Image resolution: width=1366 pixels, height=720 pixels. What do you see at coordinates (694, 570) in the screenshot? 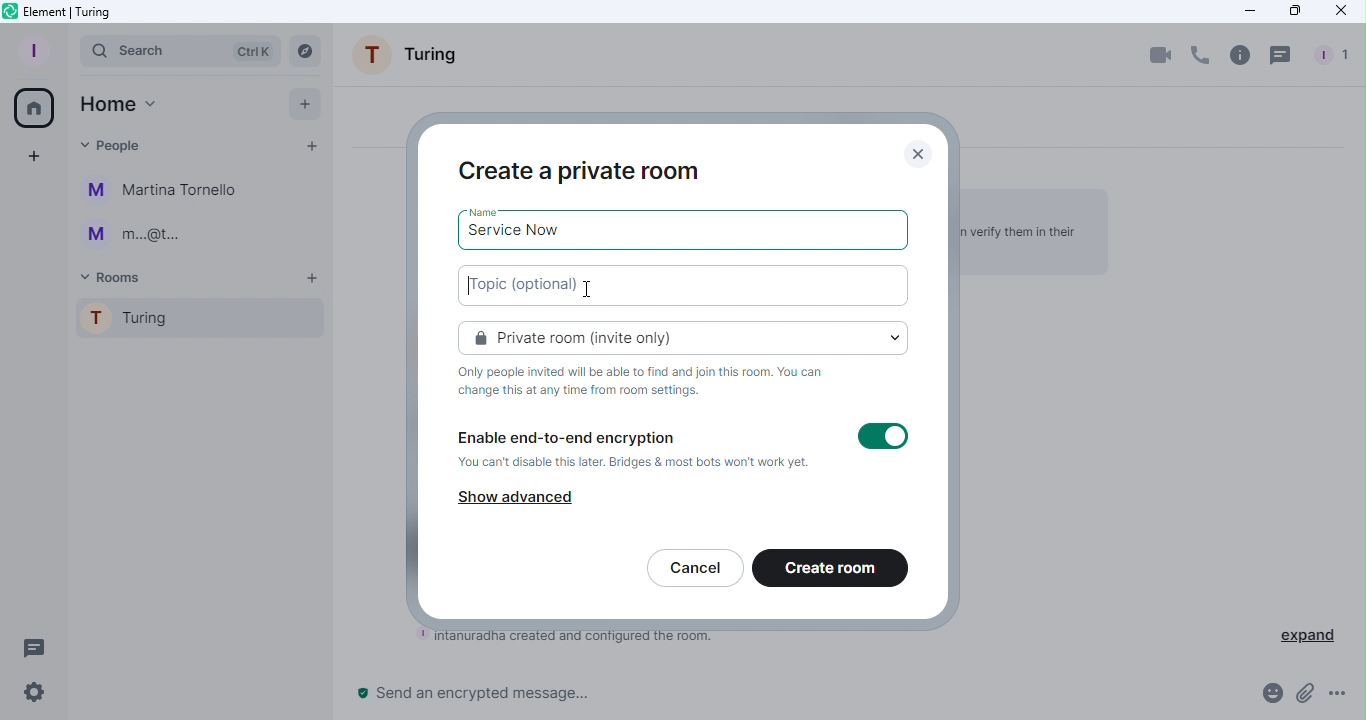
I see `Cancel` at bounding box center [694, 570].